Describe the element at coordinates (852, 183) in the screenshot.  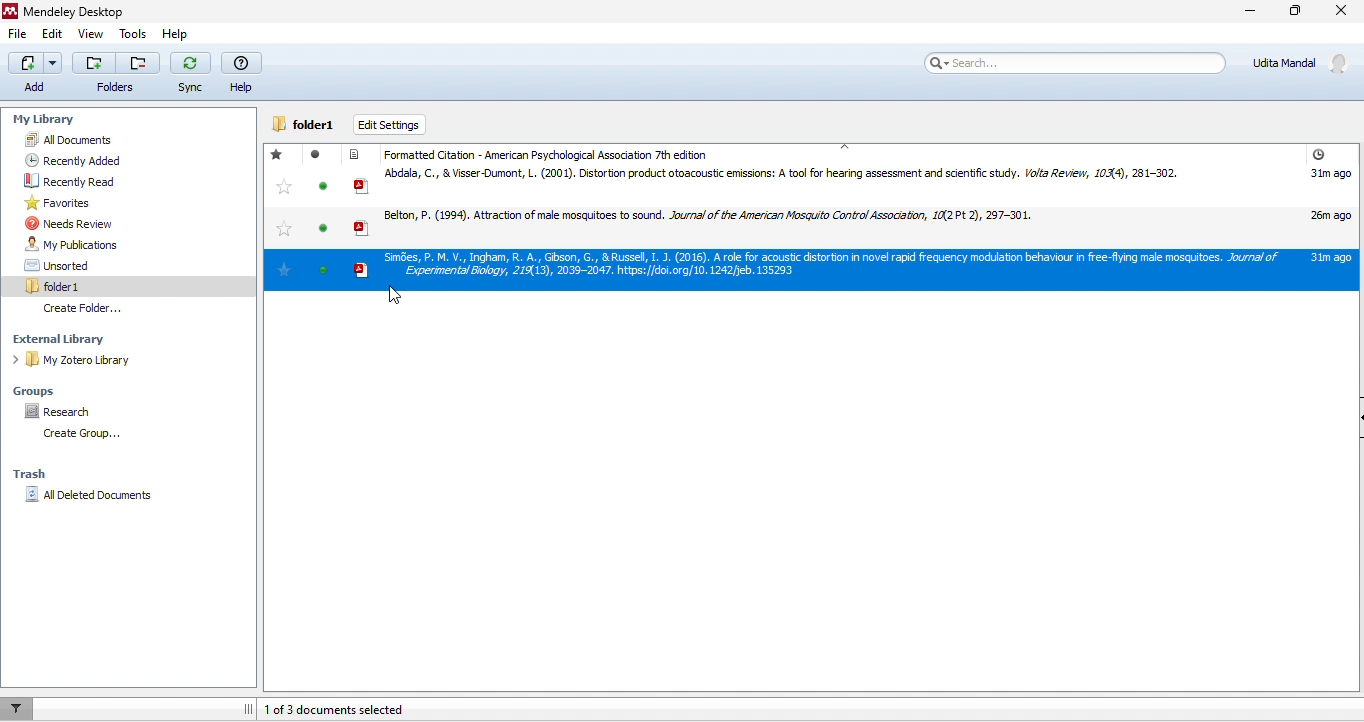
I see `research articles` at that location.